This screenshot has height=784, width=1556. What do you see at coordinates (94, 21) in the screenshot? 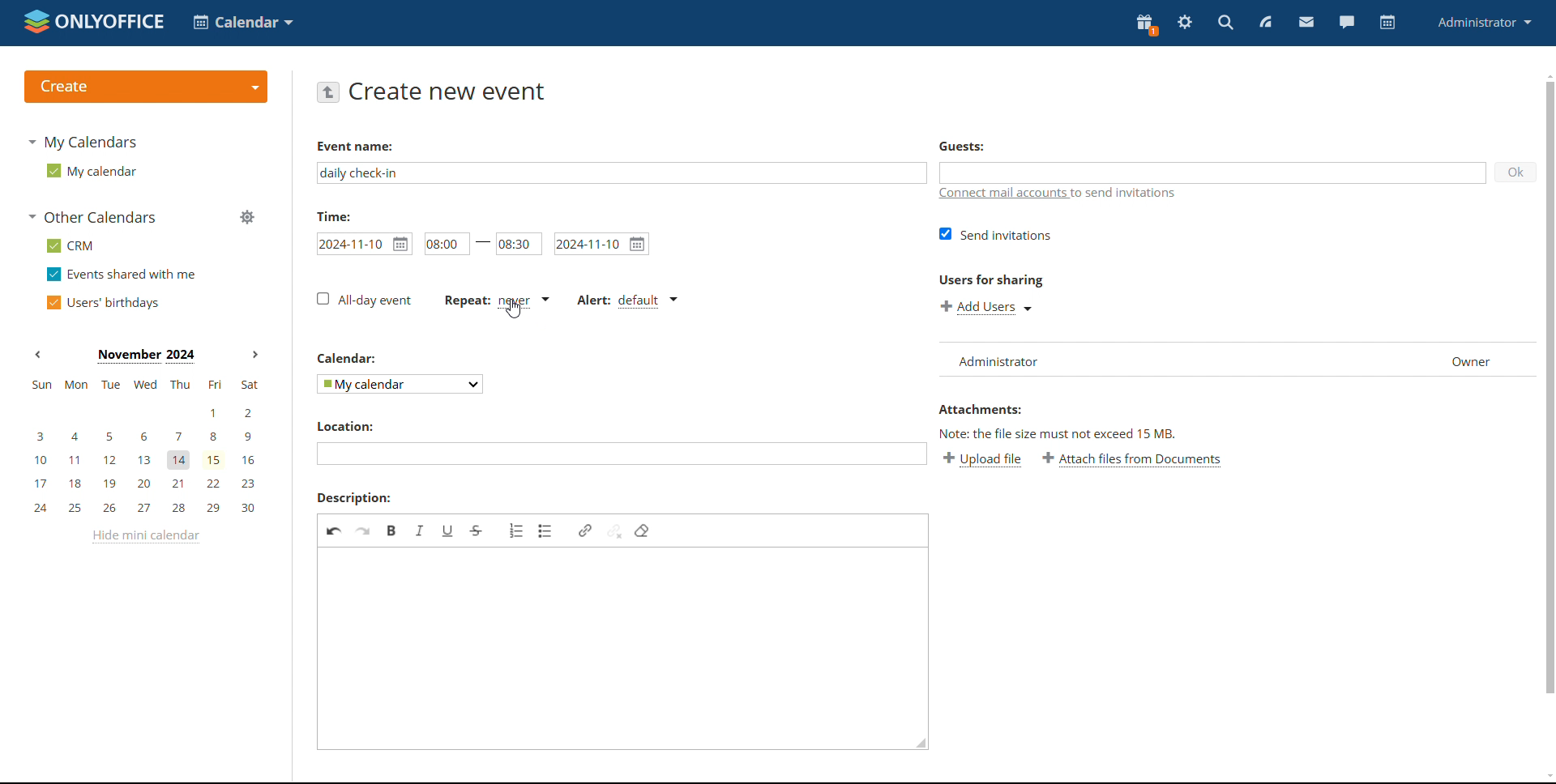
I see `logo` at bounding box center [94, 21].